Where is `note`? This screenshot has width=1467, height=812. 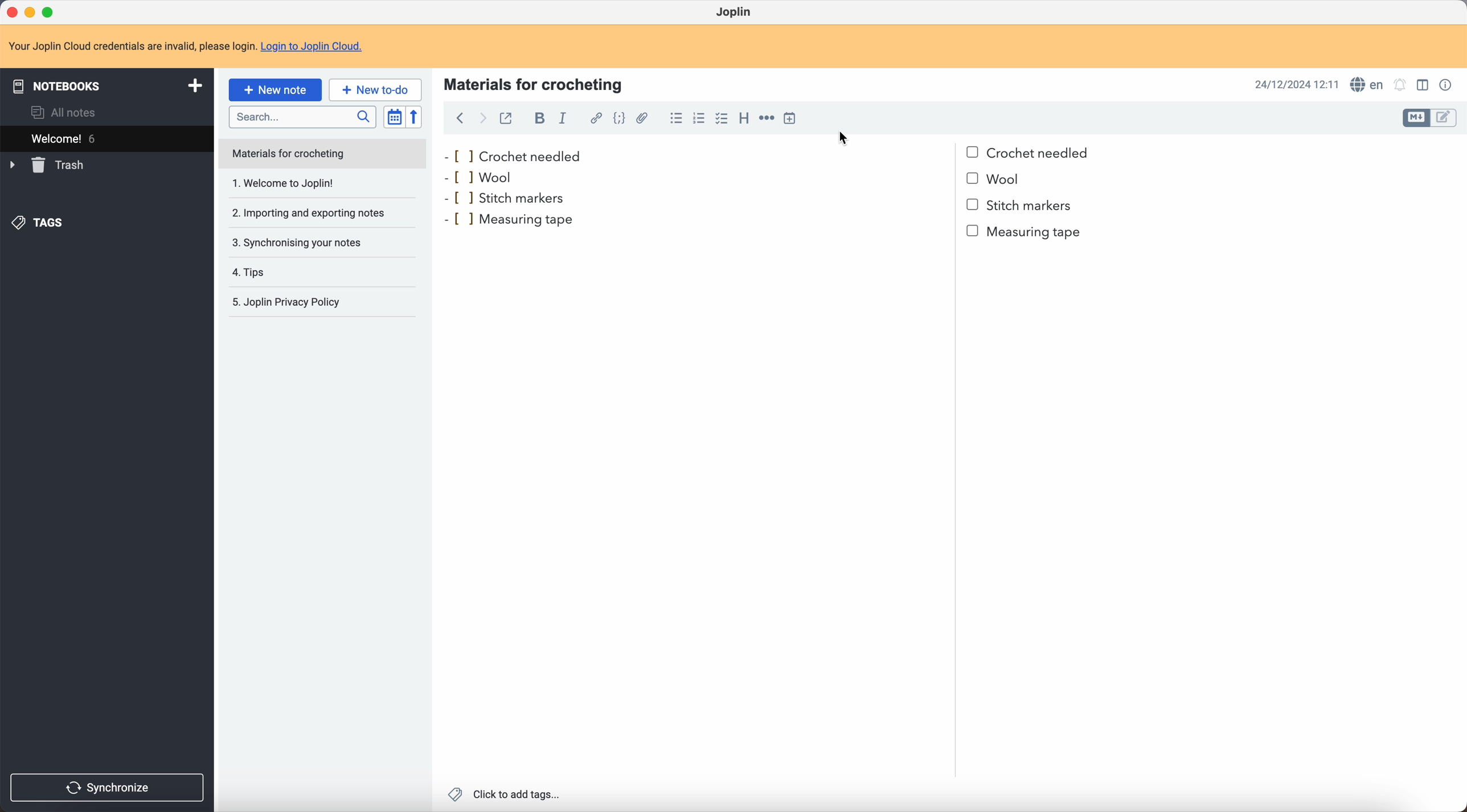 note is located at coordinates (323, 154).